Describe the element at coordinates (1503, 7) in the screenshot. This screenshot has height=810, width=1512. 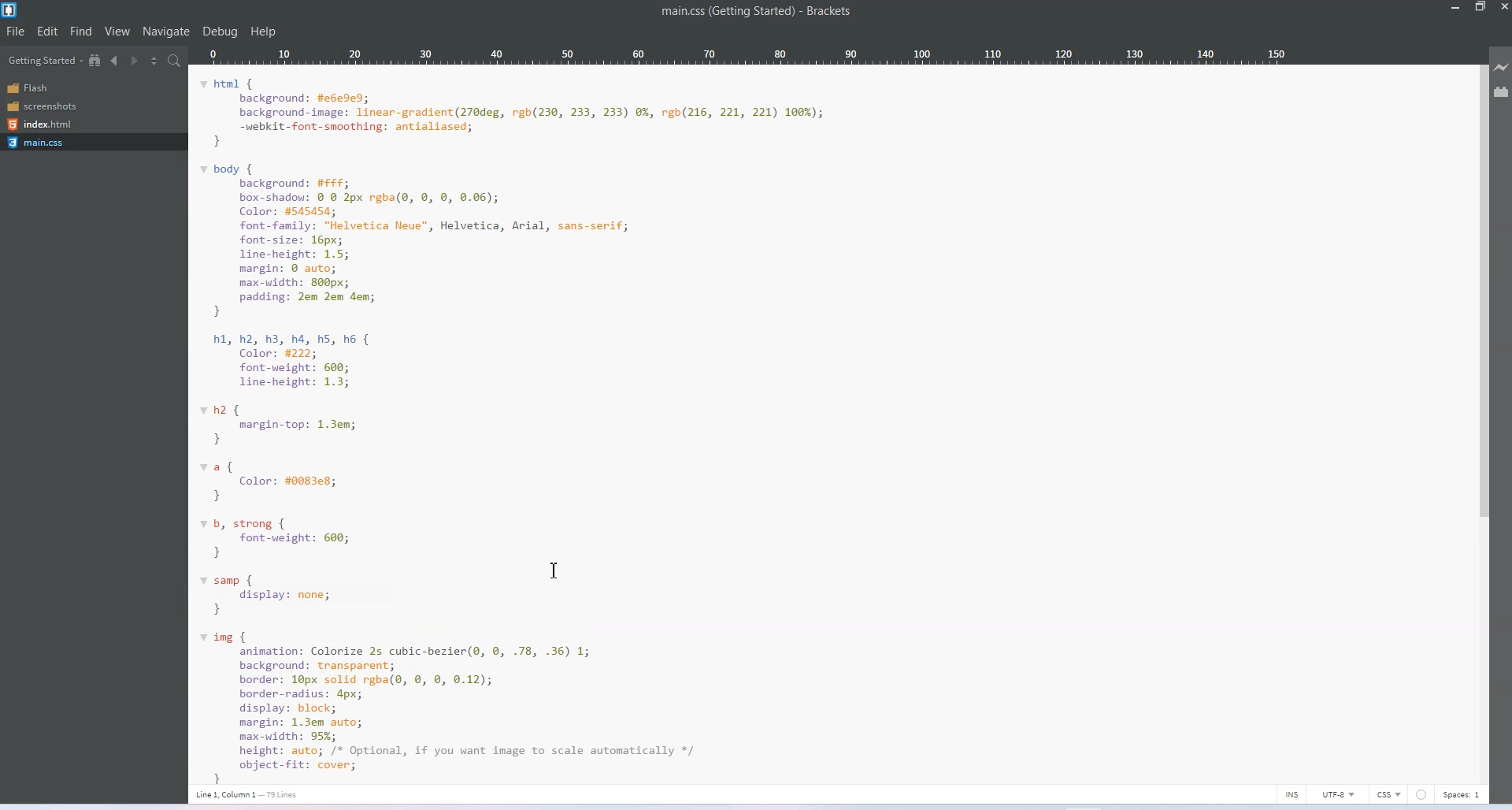
I see `Close` at that location.